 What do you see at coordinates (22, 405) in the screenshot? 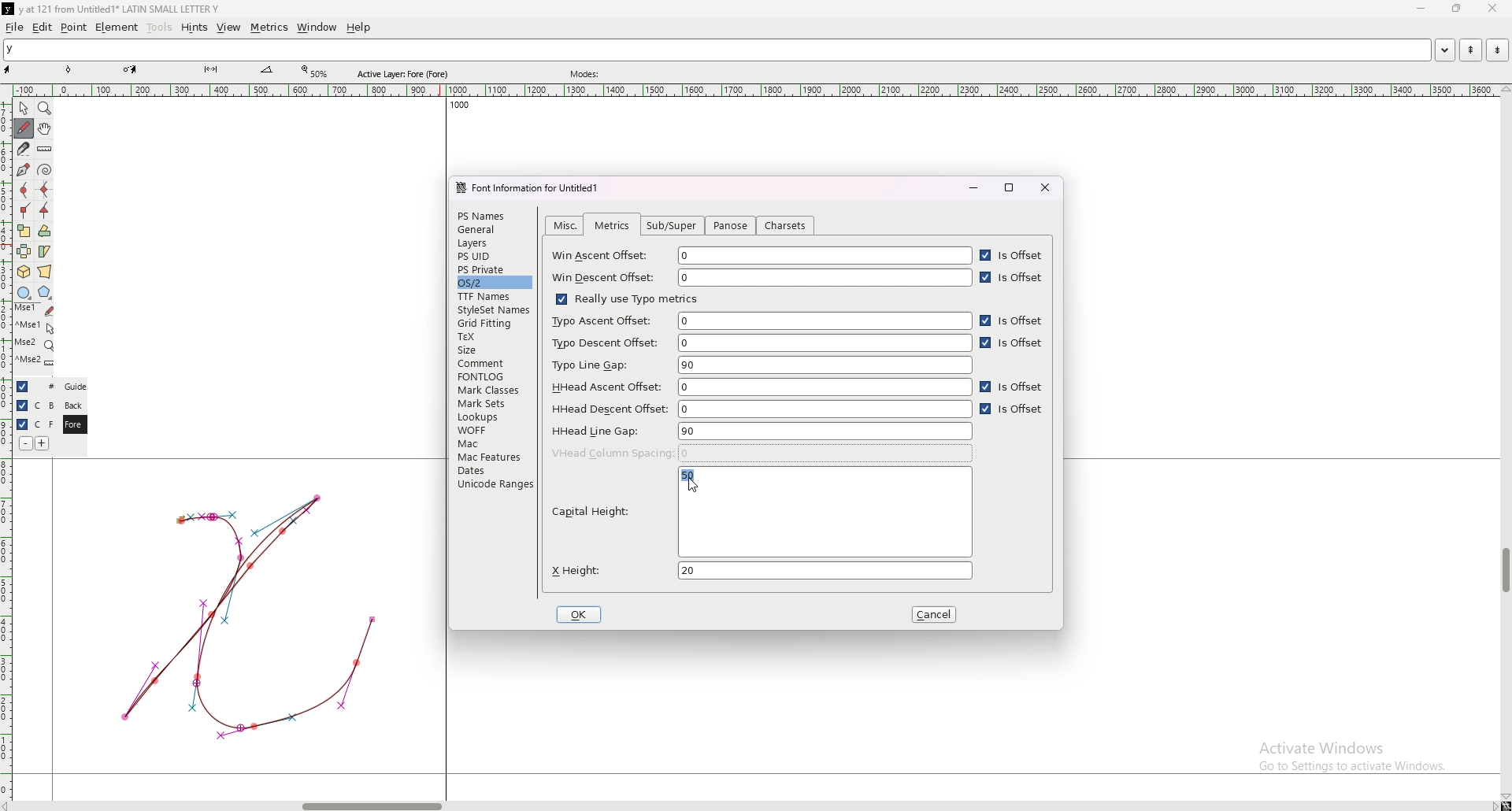
I see `hide layer` at bounding box center [22, 405].